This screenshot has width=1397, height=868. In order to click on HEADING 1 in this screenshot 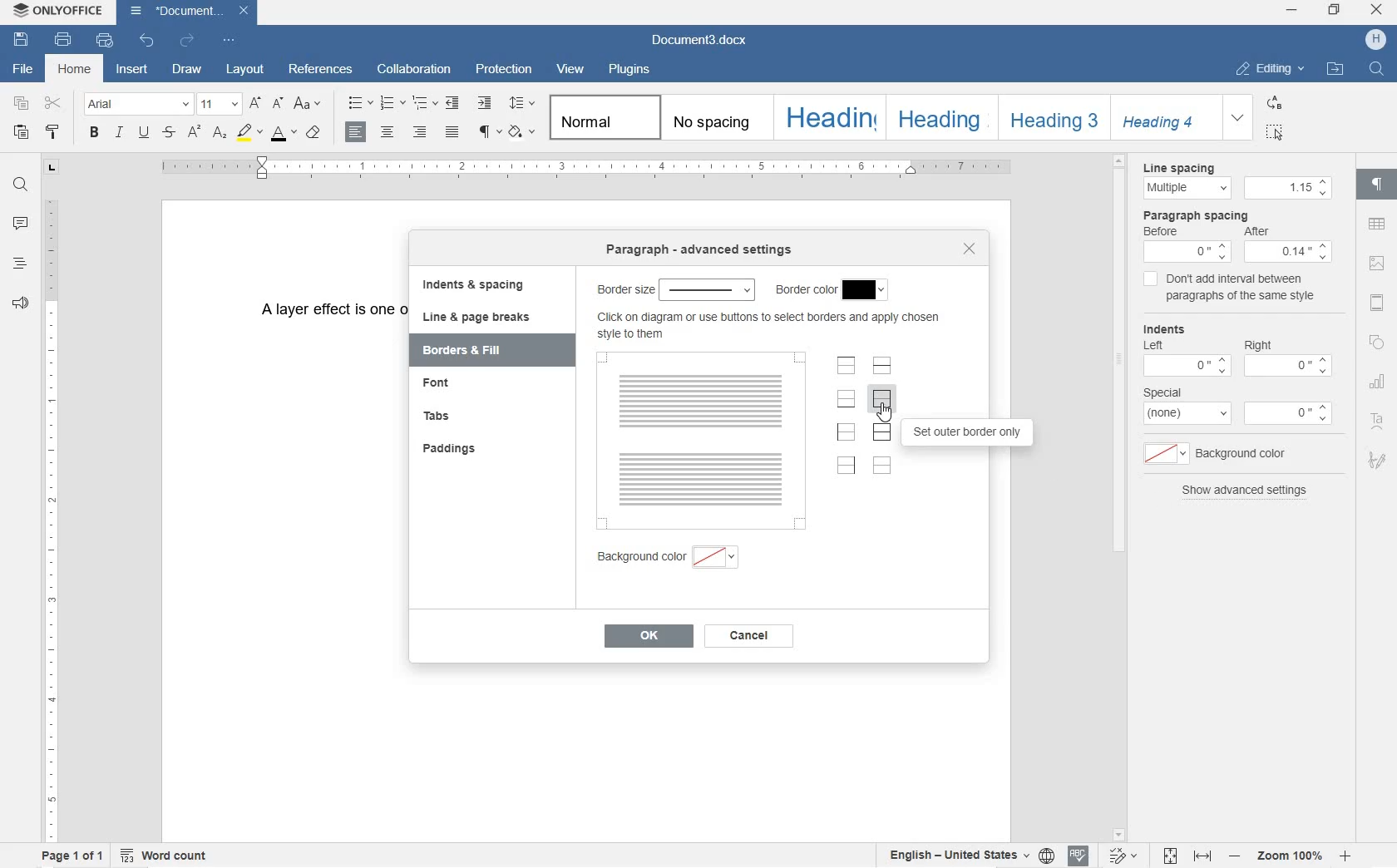, I will do `click(827, 116)`.